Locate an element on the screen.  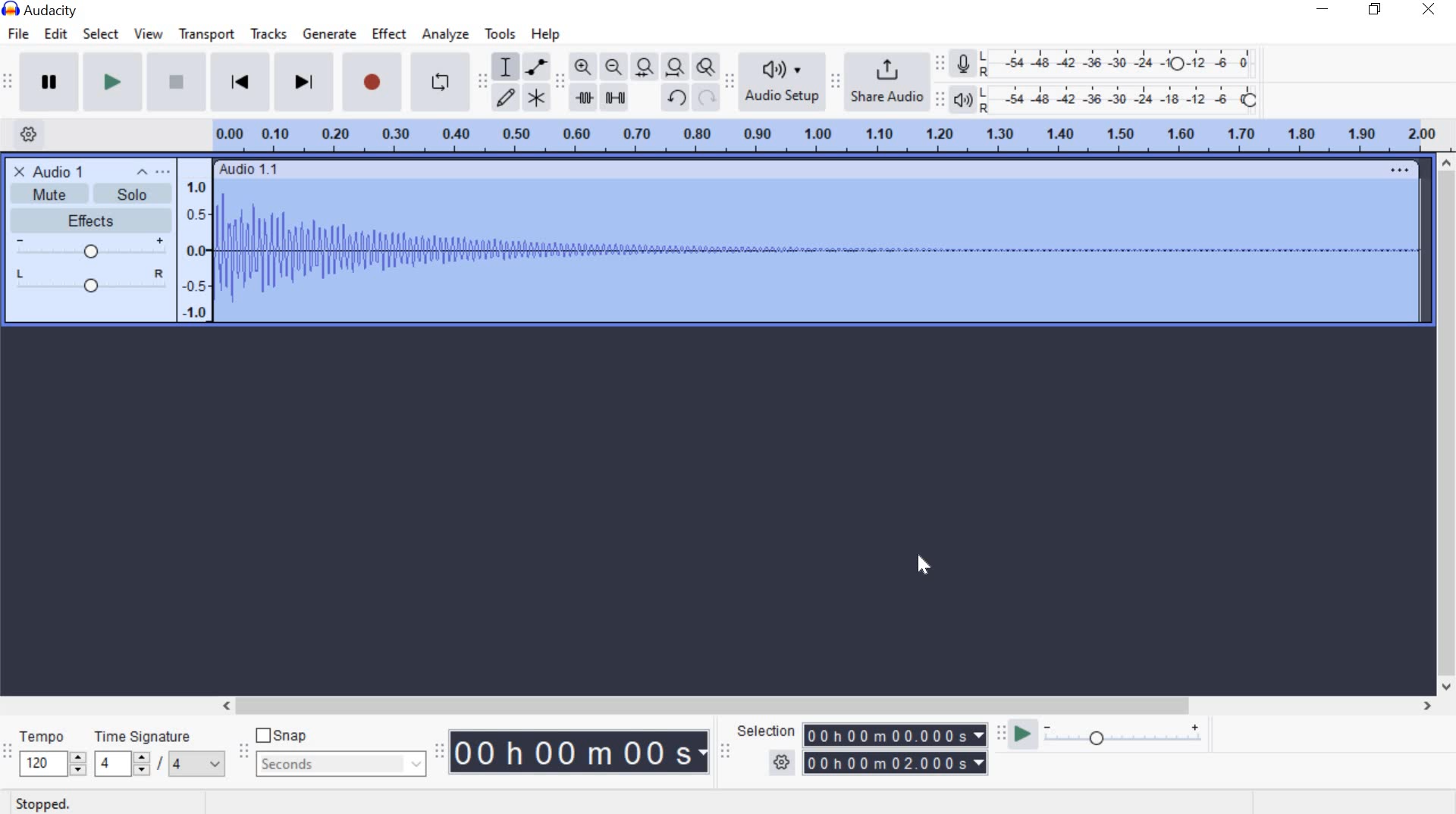
"Risset Drum generated on audio track is located at coordinates (720, 240).